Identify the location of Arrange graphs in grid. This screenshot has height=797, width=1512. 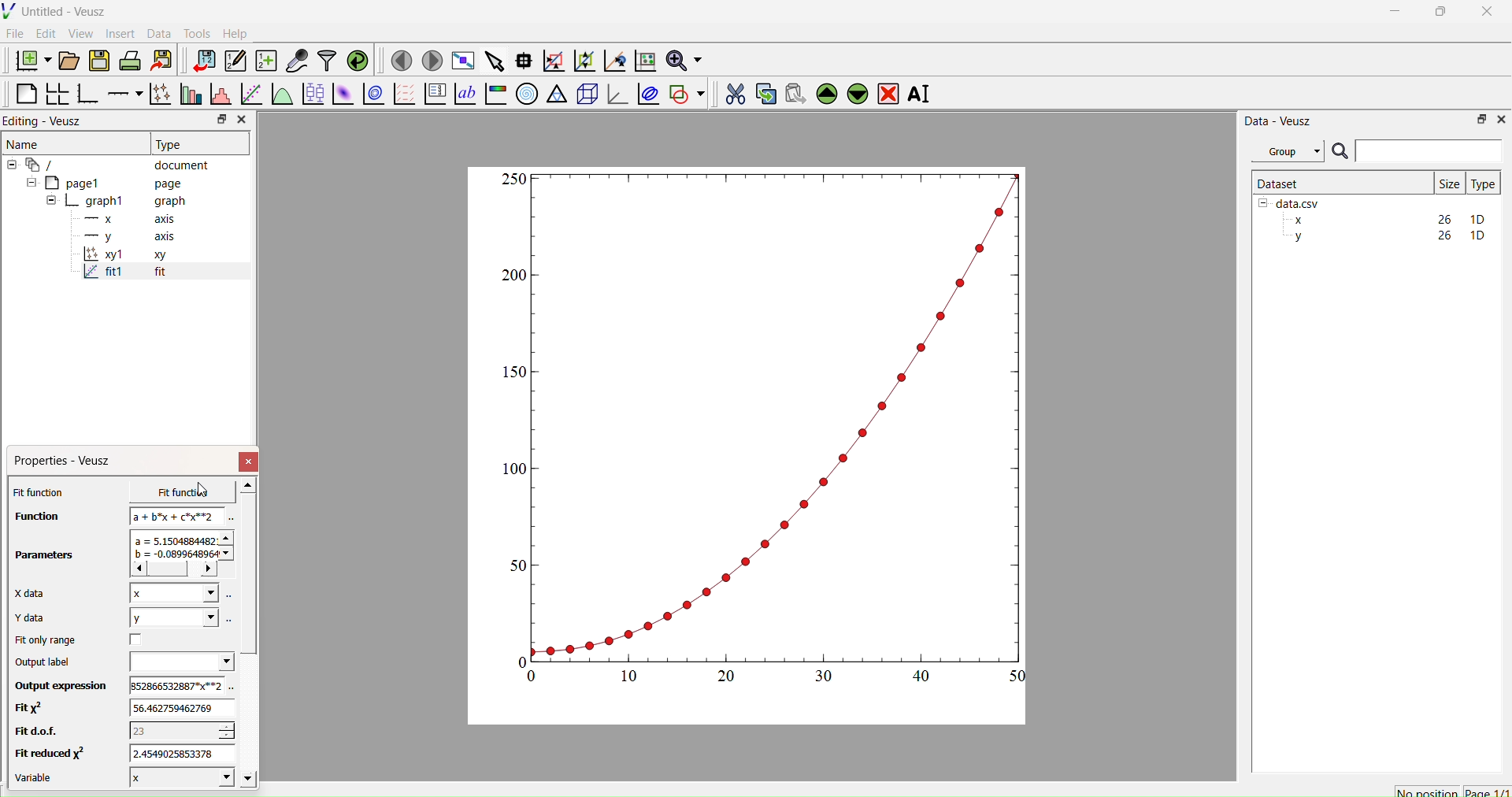
(57, 95).